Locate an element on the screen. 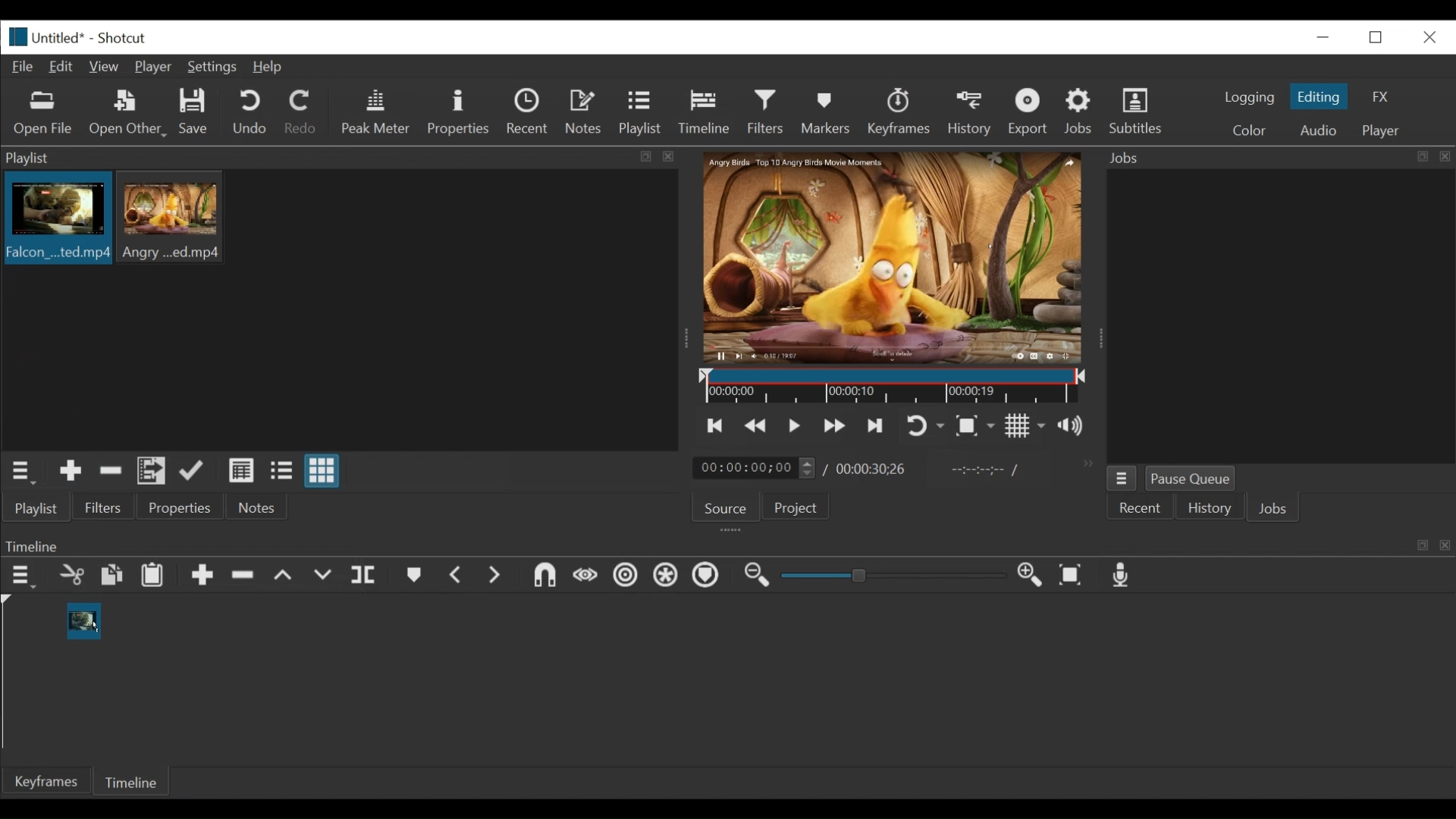 This screenshot has height=819, width=1456. FX is located at coordinates (1381, 97).